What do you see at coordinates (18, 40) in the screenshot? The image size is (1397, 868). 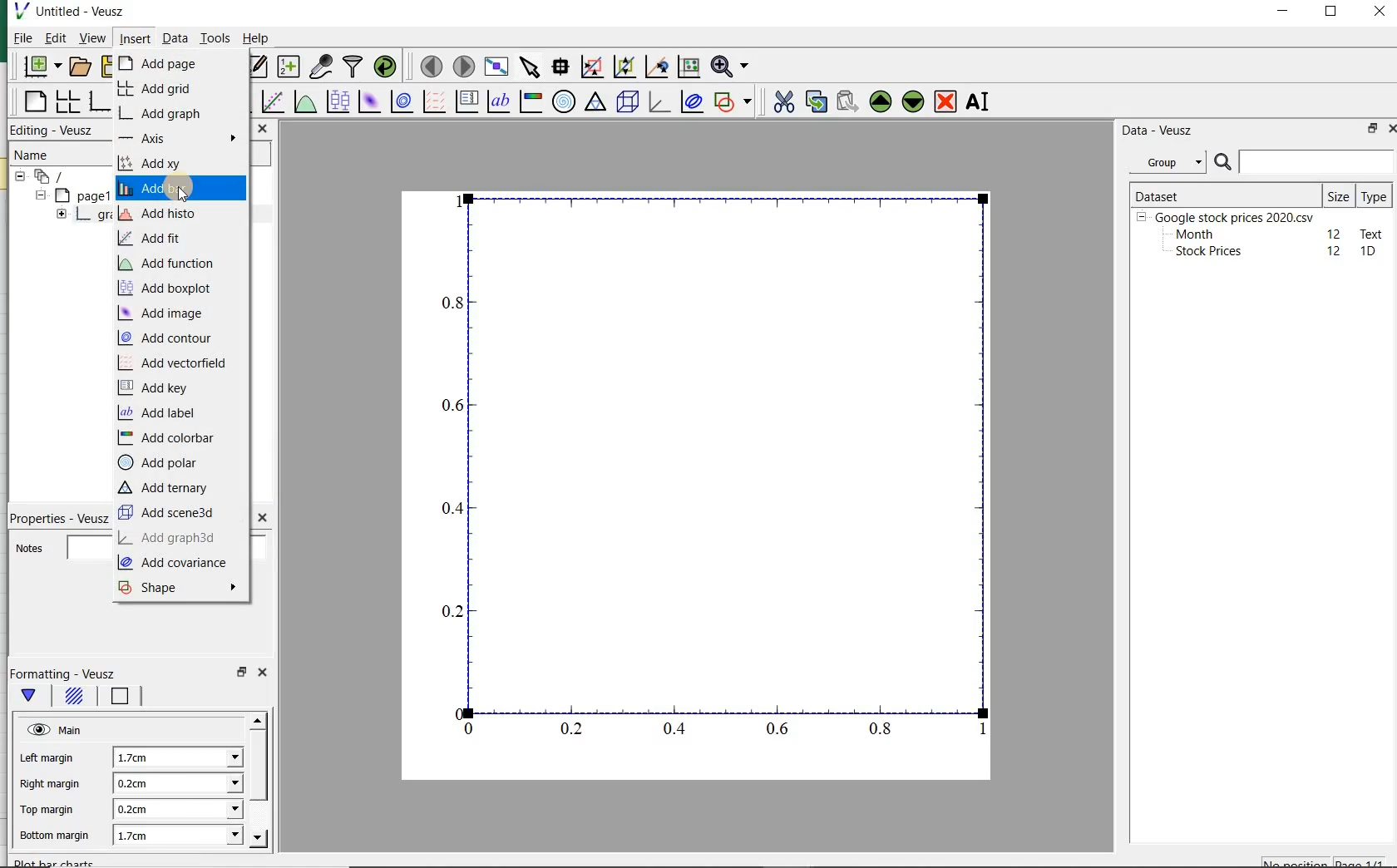 I see `File` at bounding box center [18, 40].